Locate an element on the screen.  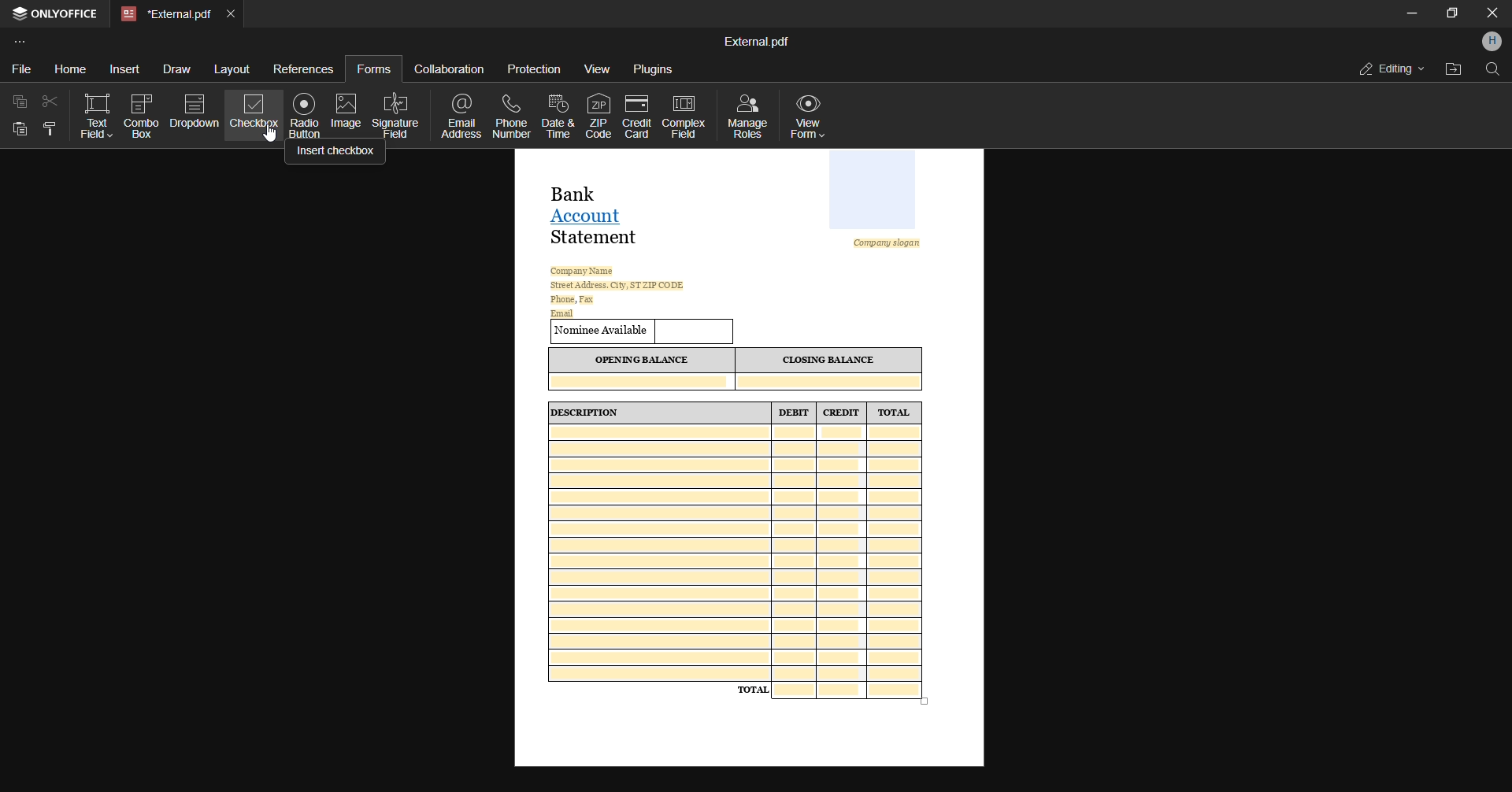
find is located at coordinates (1493, 72).